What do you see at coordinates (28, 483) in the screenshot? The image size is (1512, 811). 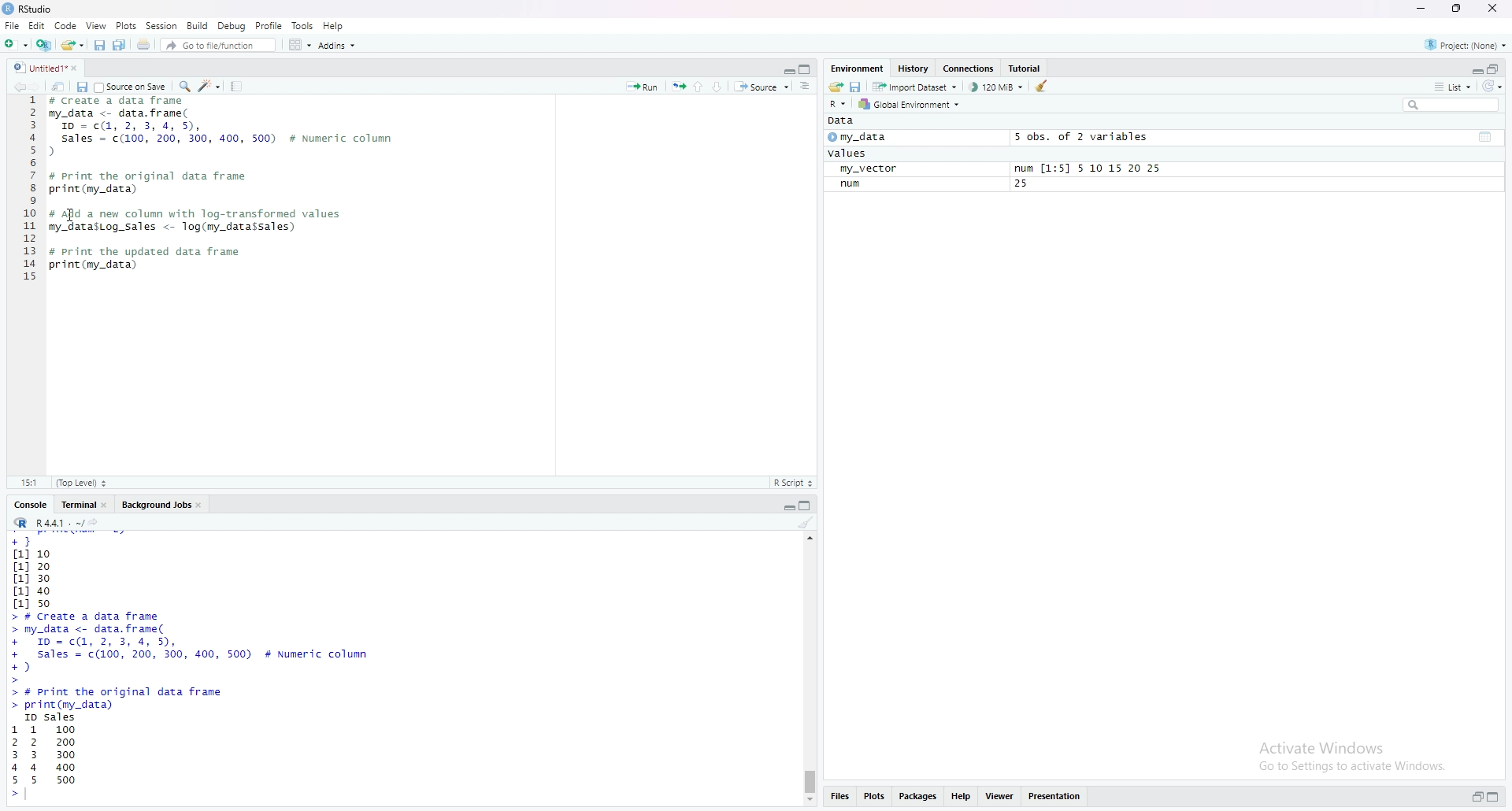 I see `10:1` at bounding box center [28, 483].